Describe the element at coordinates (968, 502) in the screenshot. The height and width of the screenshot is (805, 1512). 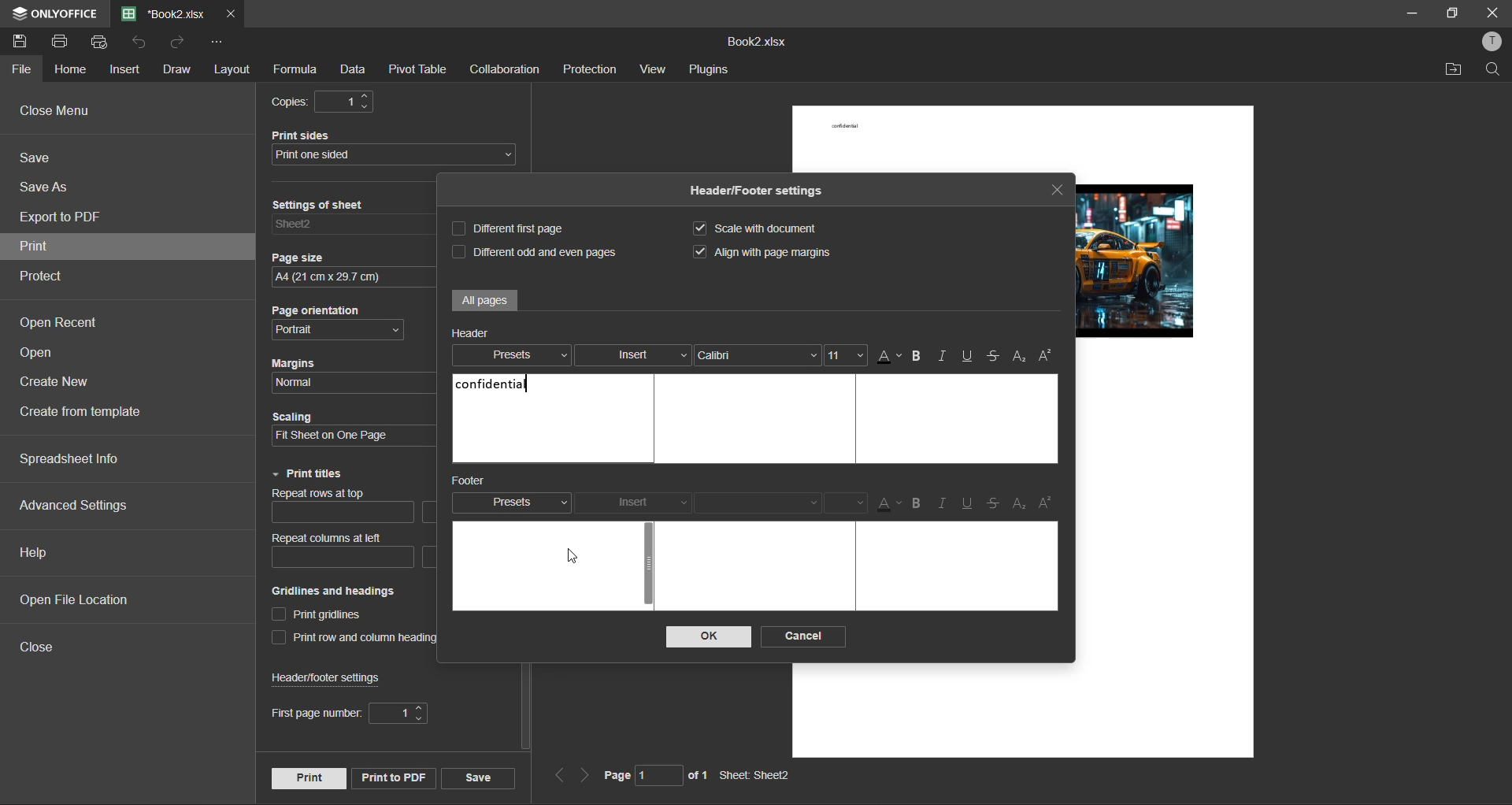
I see `underline` at that location.